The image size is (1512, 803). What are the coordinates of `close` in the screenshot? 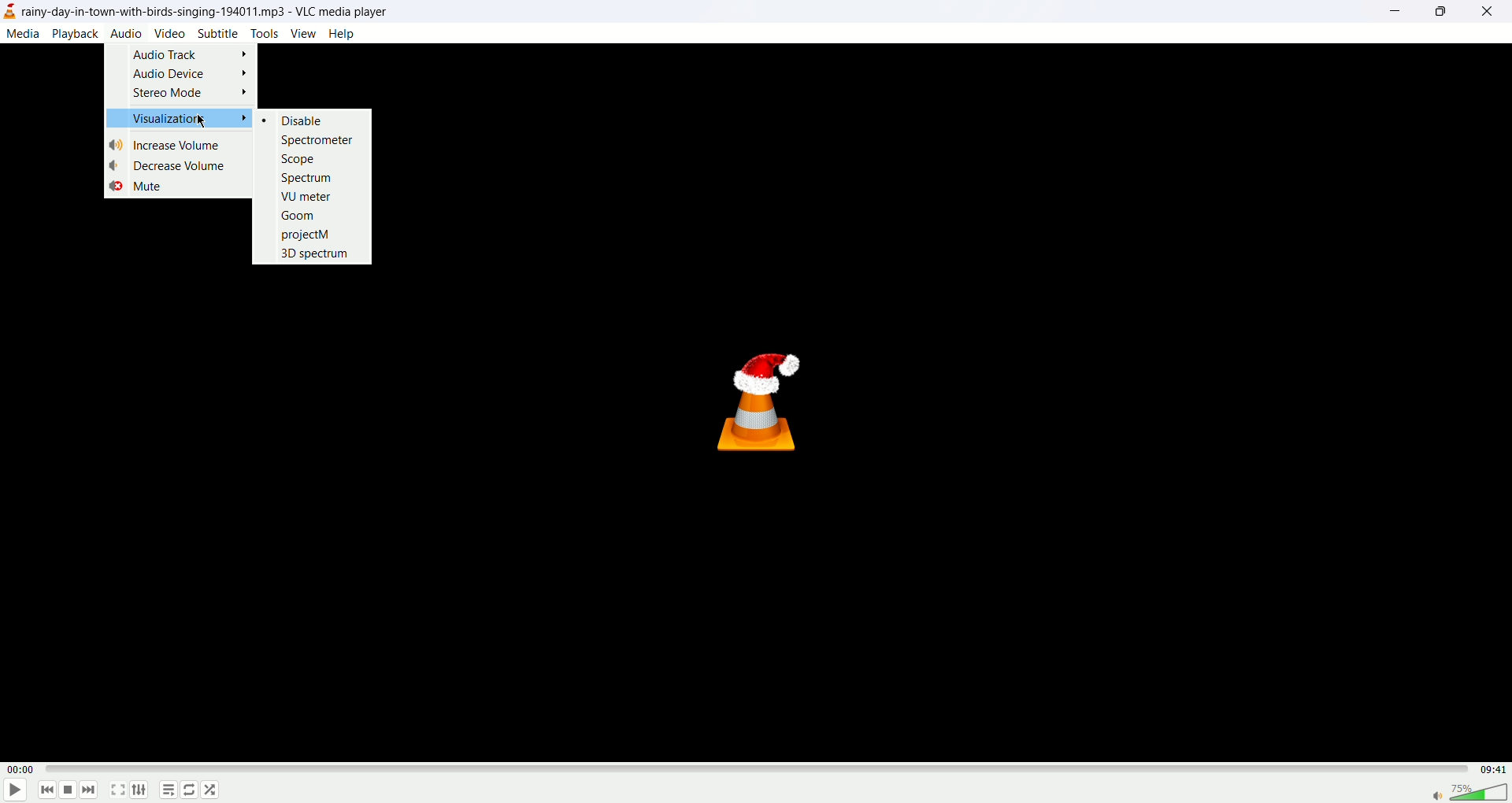 It's located at (1492, 14).